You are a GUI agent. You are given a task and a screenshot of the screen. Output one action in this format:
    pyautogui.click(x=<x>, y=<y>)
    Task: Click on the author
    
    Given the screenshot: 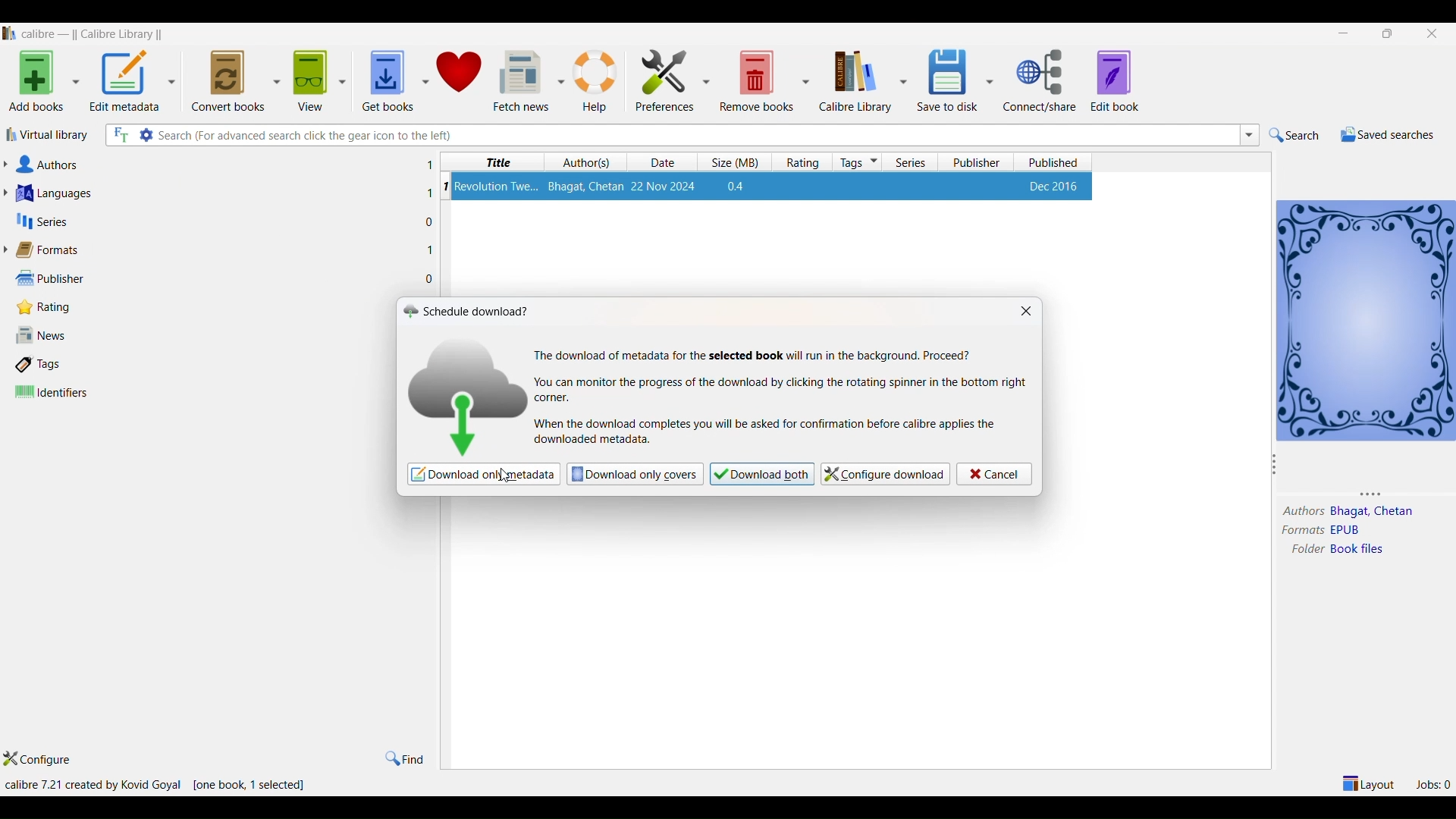 What is the action you would take?
    pyautogui.click(x=1300, y=510)
    